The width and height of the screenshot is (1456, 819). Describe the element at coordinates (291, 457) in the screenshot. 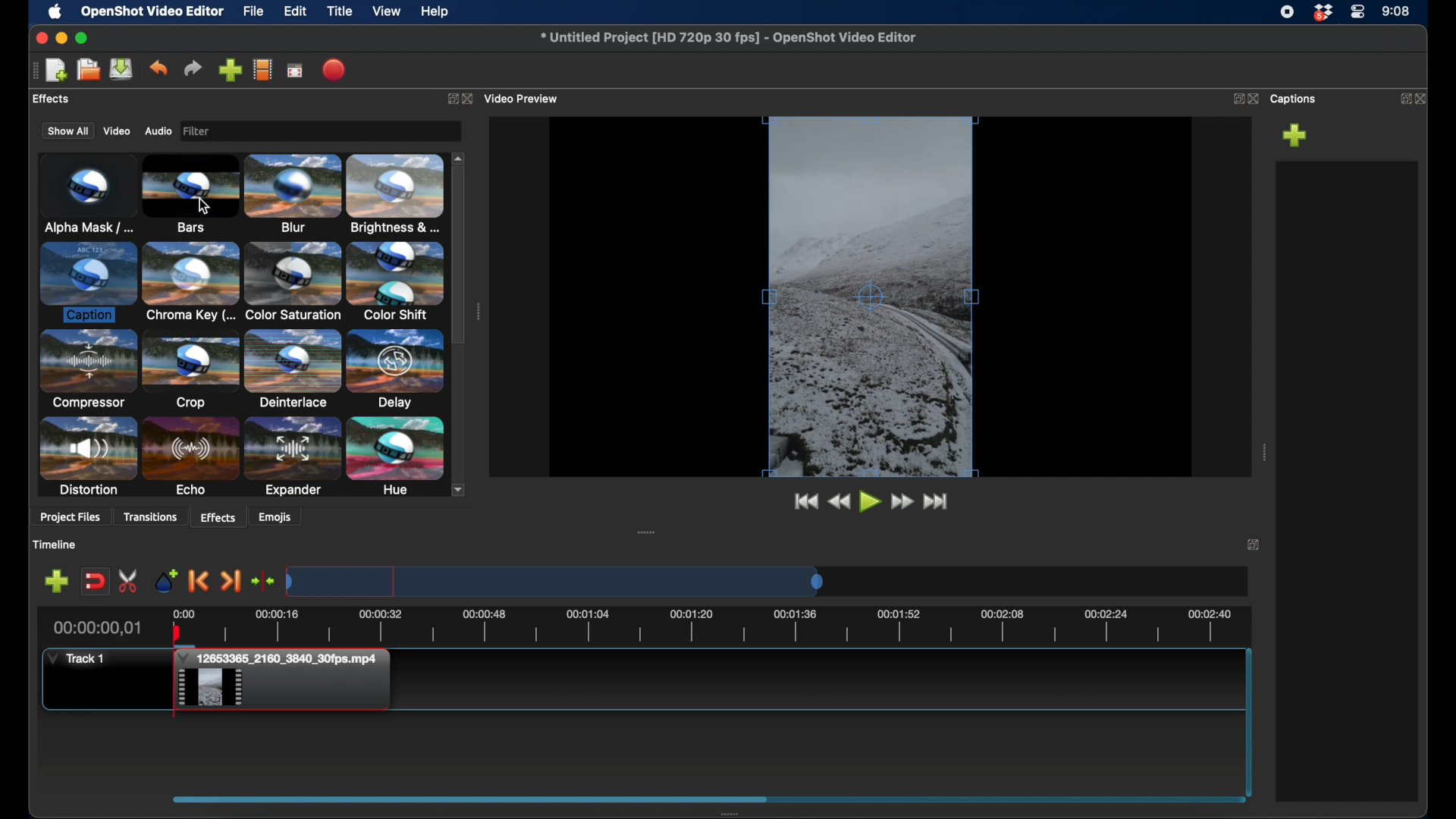

I see `expander` at that location.